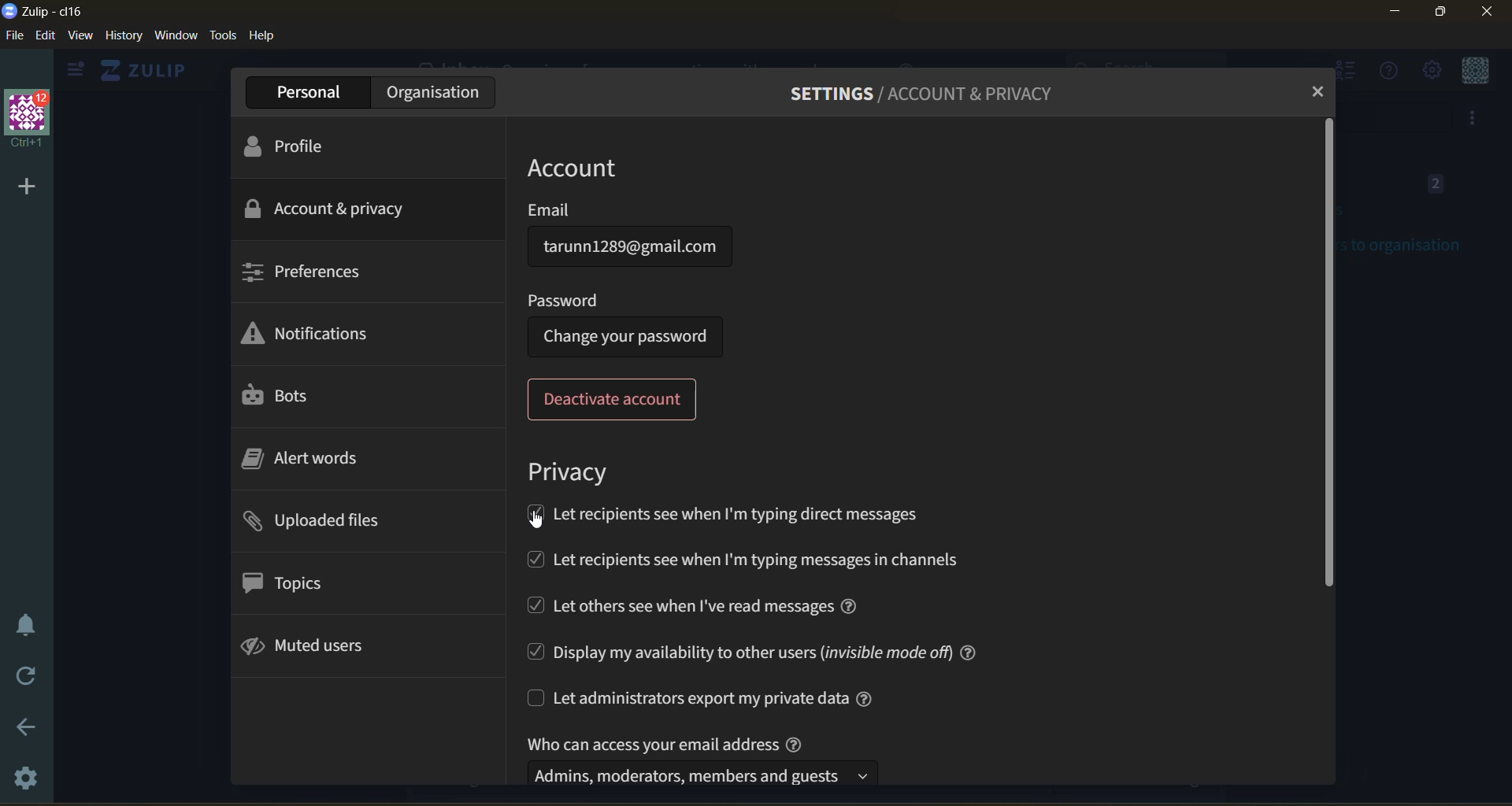 This screenshot has width=1512, height=806. What do you see at coordinates (29, 779) in the screenshot?
I see `settings` at bounding box center [29, 779].